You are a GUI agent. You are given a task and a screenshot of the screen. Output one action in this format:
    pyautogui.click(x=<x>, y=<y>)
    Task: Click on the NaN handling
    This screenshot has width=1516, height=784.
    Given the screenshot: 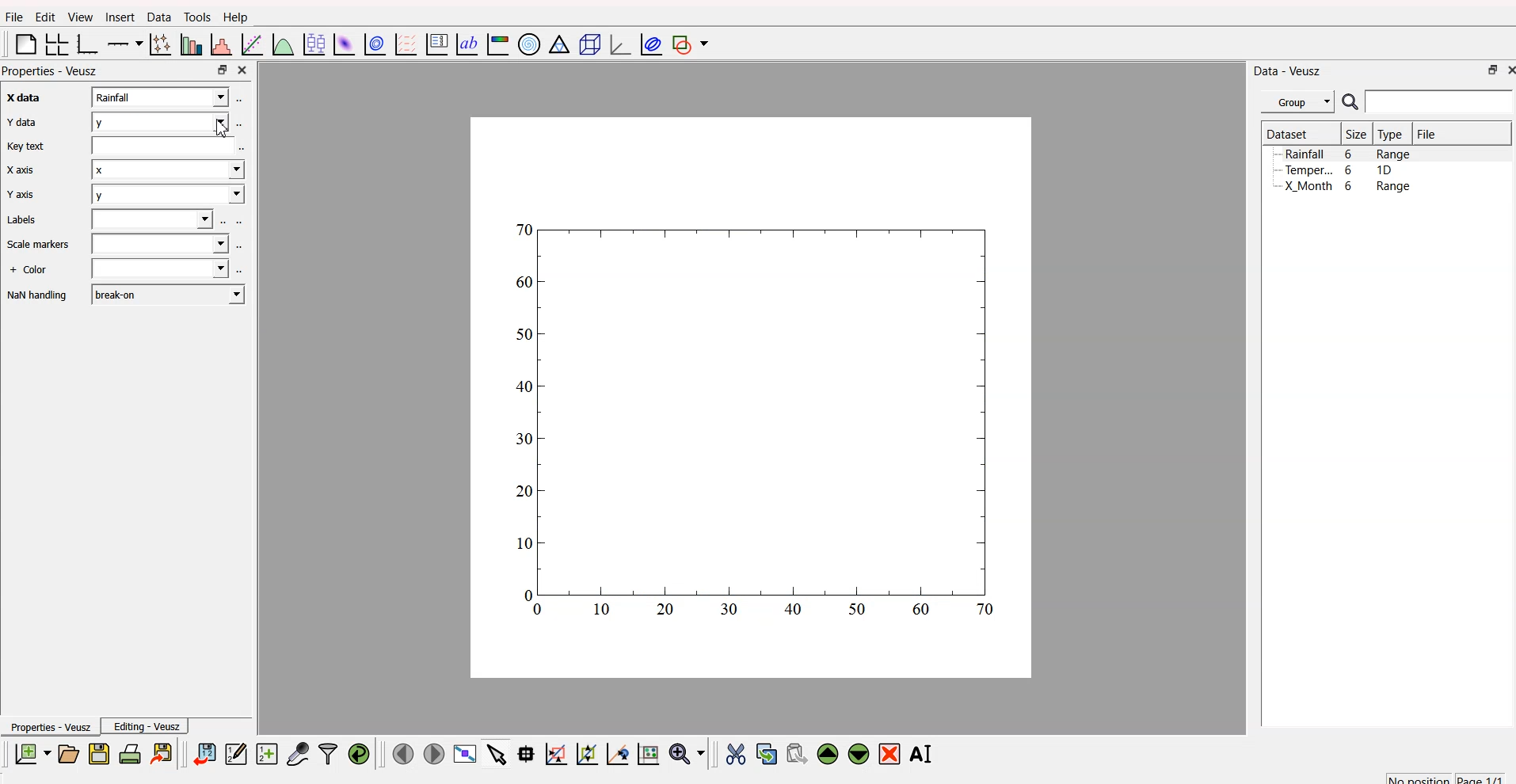 What is the action you would take?
    pyautogui.click(x=38, y=296)
    